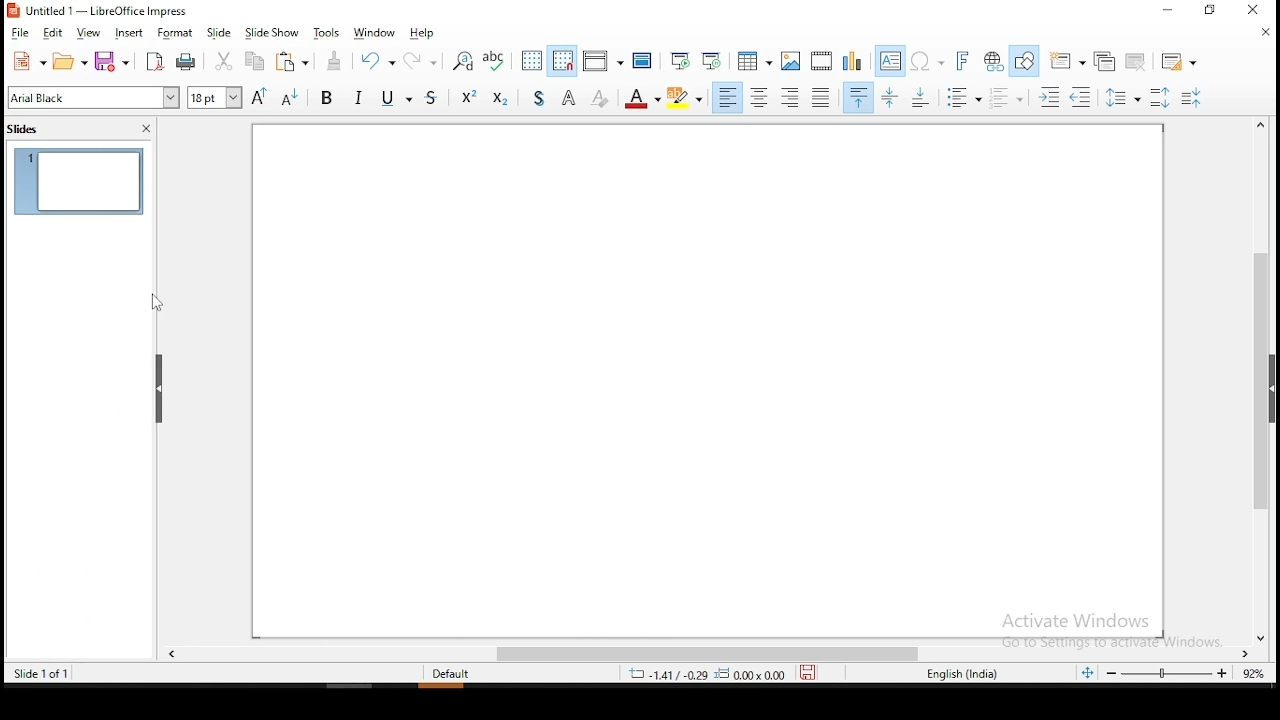 The height and width of the screenshot is (720, 1280). Describe the element at coordinates (819, 97) in the screenshot. I see `justified` at that location.